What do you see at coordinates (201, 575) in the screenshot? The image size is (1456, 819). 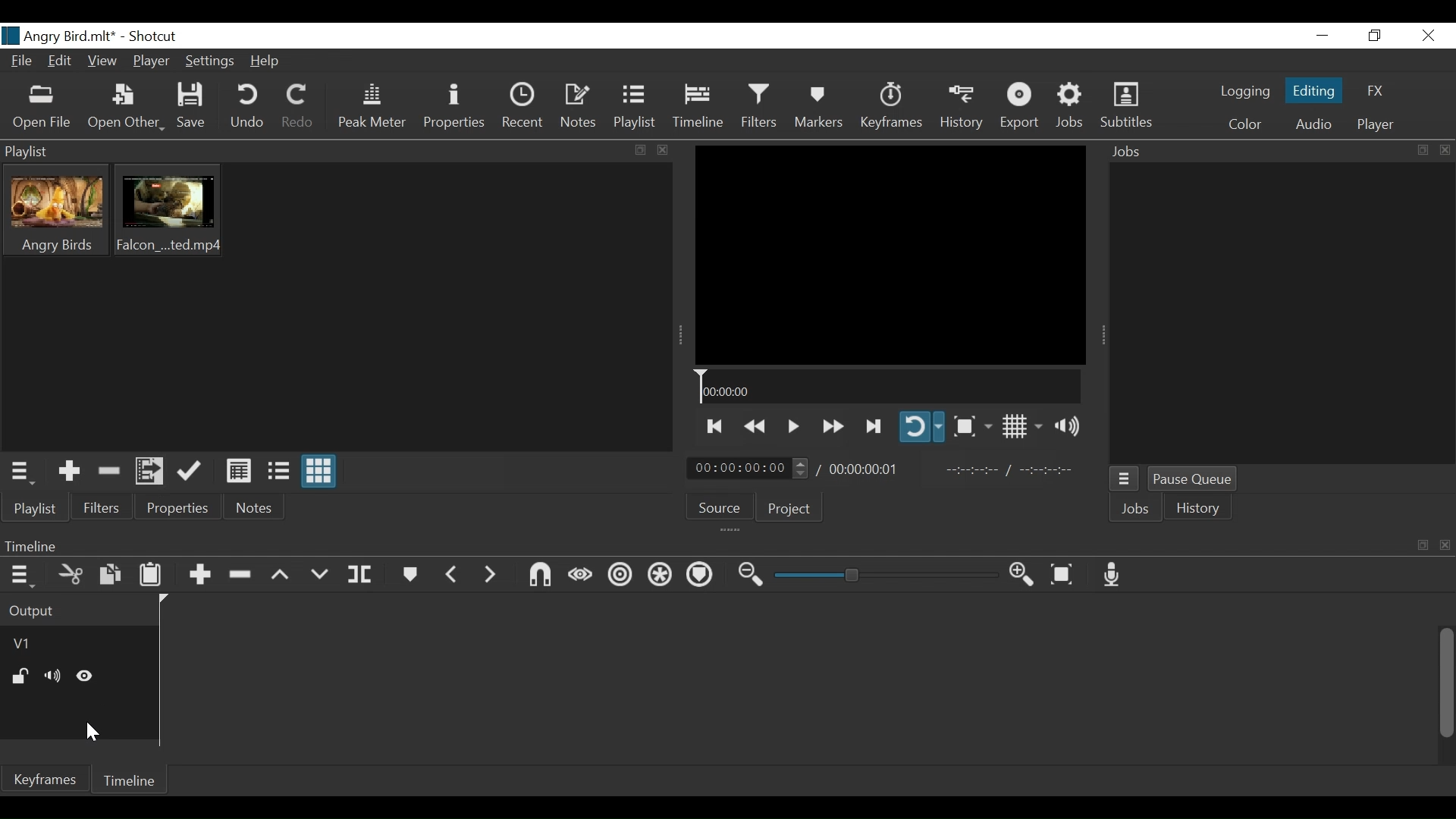 I see `Append` at bounding box center [201, 575].